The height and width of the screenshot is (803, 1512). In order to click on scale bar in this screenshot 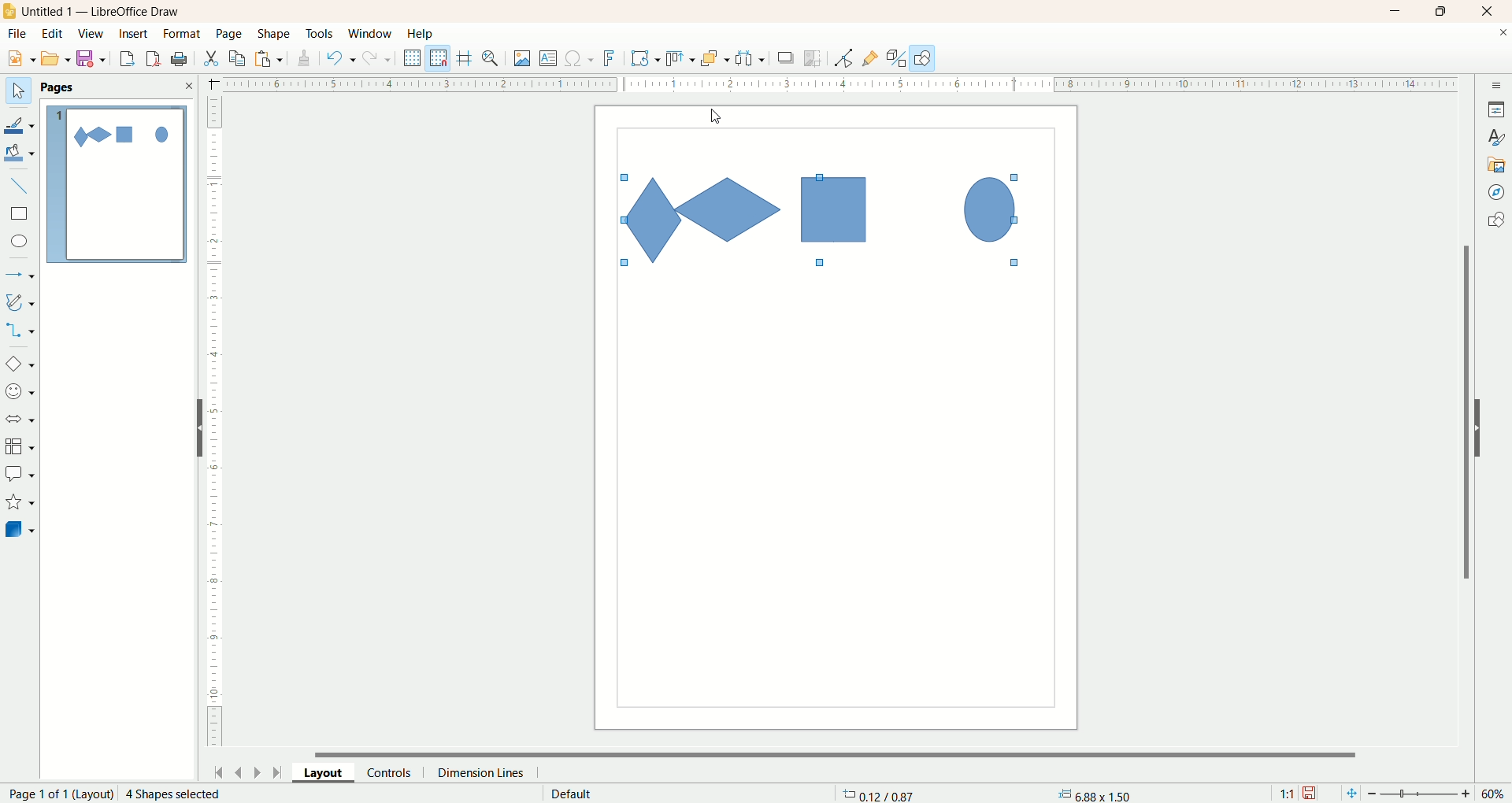, I will do `click(829, 83)`.